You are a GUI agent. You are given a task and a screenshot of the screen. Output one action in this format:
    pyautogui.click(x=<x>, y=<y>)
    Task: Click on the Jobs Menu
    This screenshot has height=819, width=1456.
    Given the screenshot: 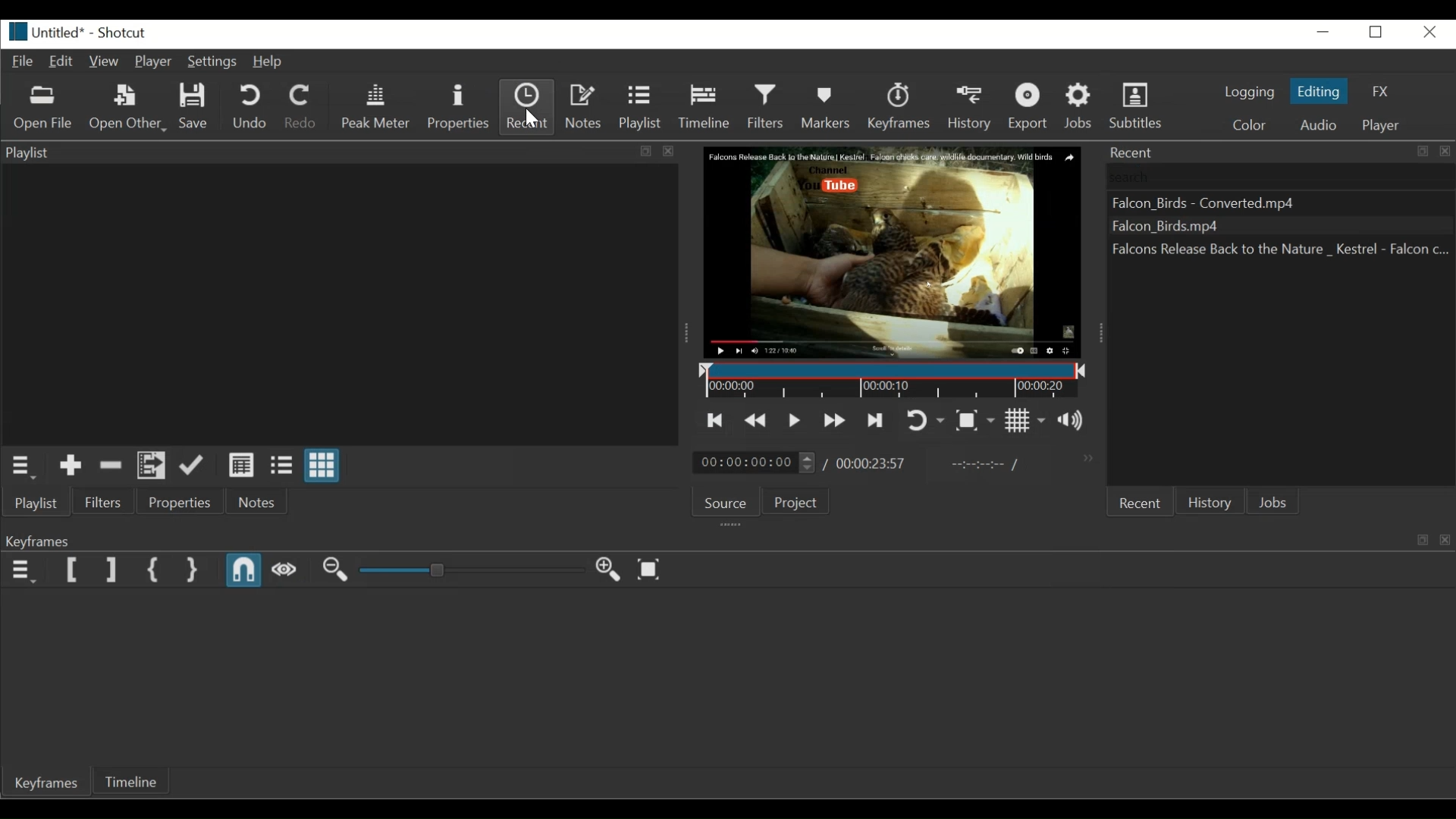 What is the action you would take?
    pyautogui.click(x=1081, y=104)
    